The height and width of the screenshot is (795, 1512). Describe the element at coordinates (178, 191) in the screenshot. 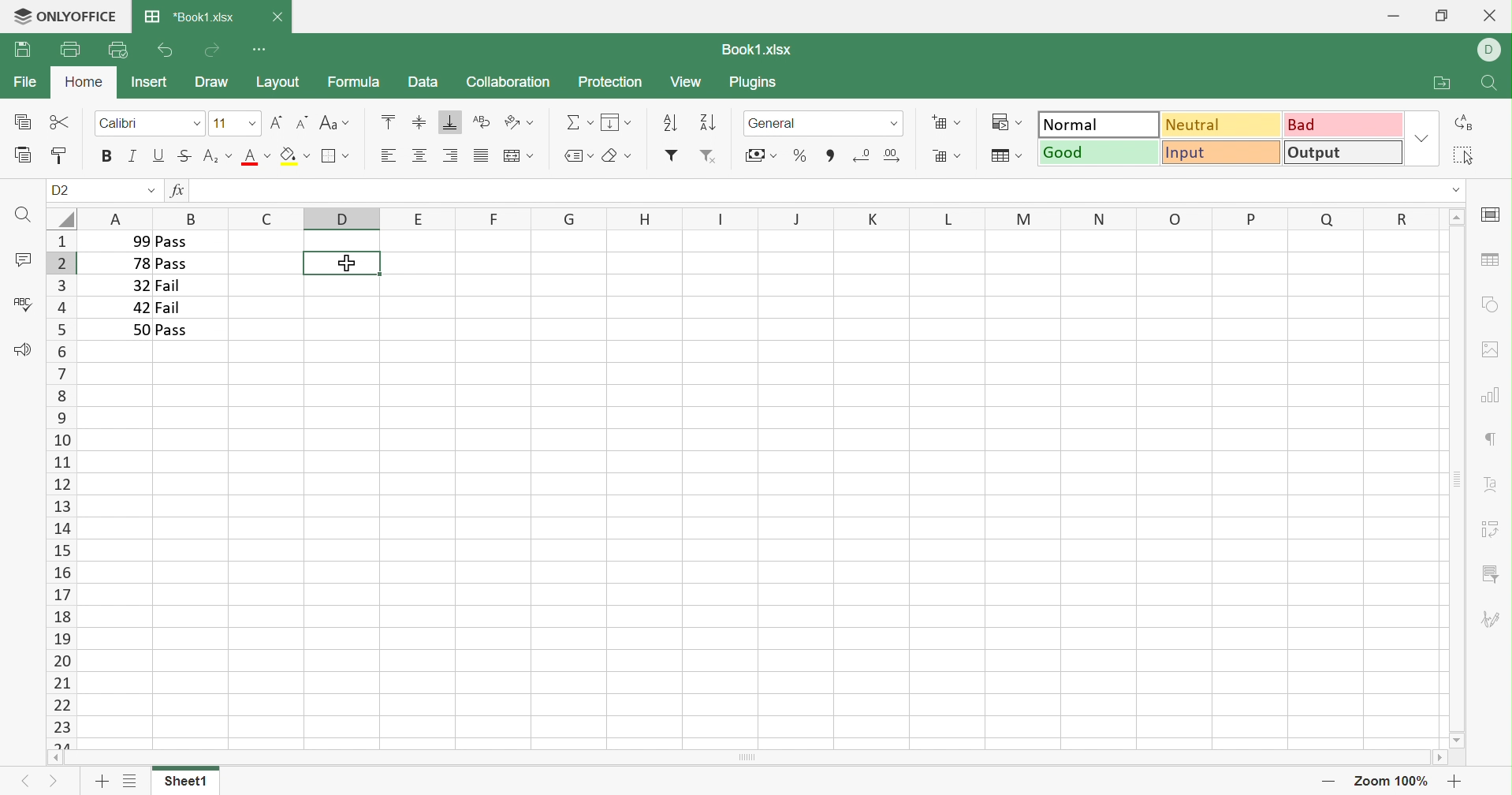

I see `fx` at that location.